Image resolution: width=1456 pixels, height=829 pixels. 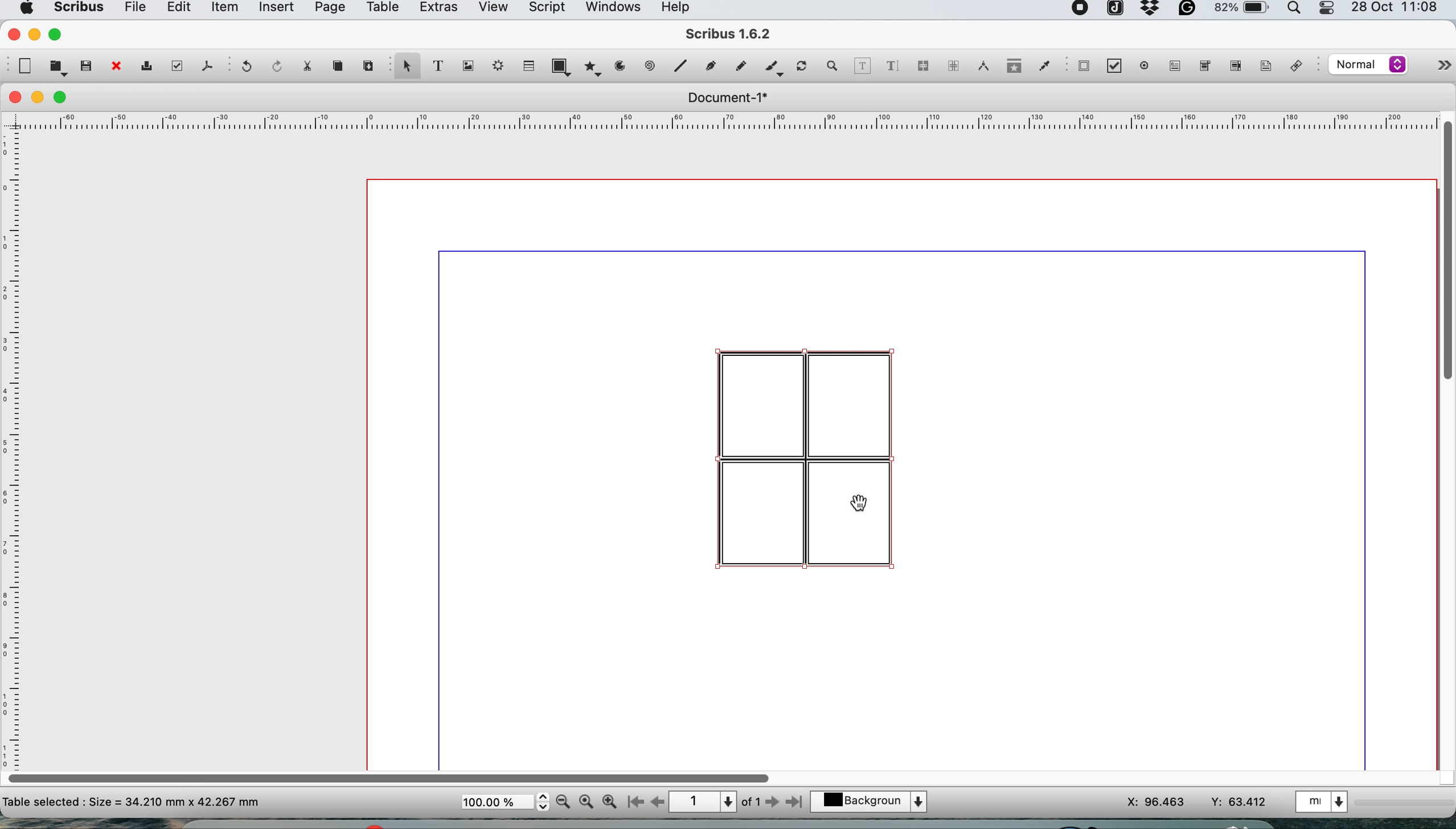 I want to click on windows, so click(x=612, y=10).